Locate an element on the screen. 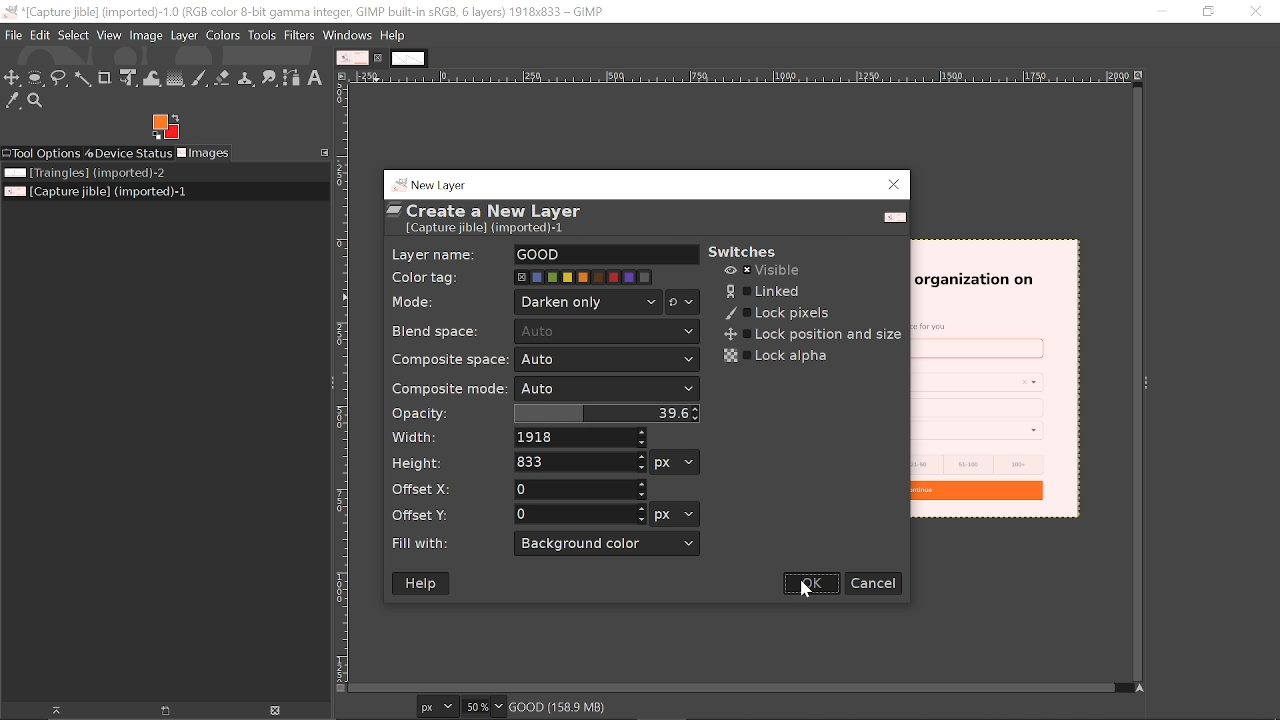 The height and width of the screenshot is (720, 1280). View is located at coordinates (109, 35).